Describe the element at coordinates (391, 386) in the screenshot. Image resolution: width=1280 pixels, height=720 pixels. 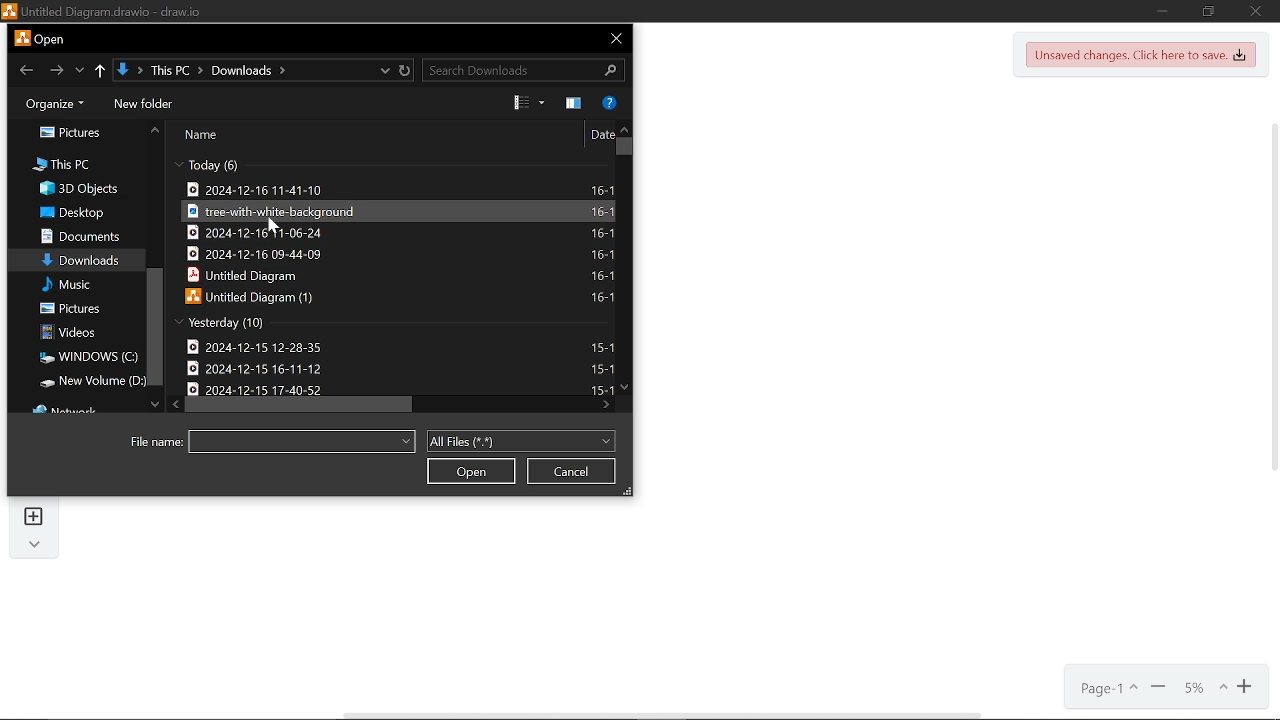
I see `file titled "2024-12-15 17-40-52"` at that location.